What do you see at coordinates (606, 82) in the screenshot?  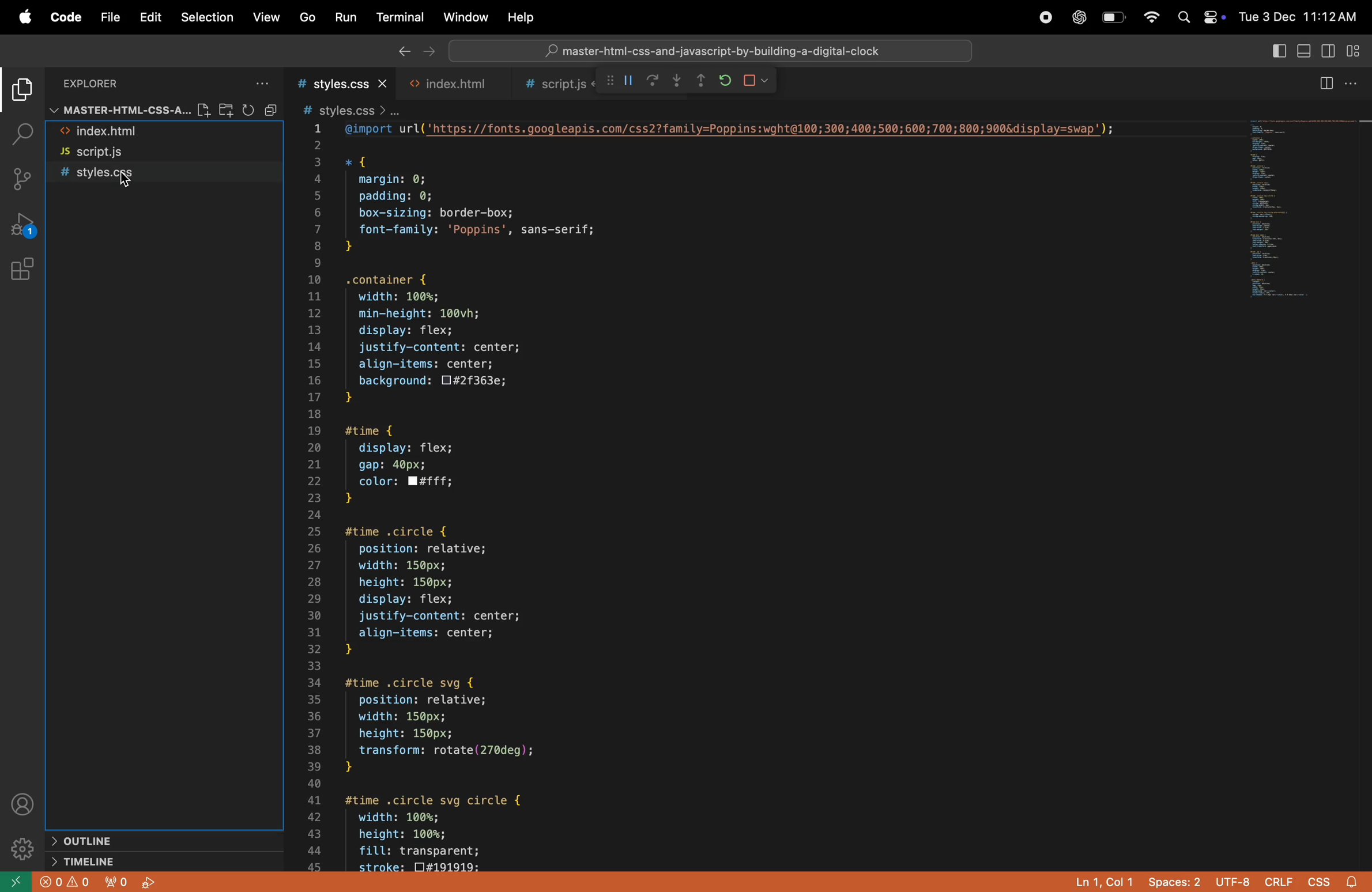 I see `call stack` at bounding box center [606, 82].